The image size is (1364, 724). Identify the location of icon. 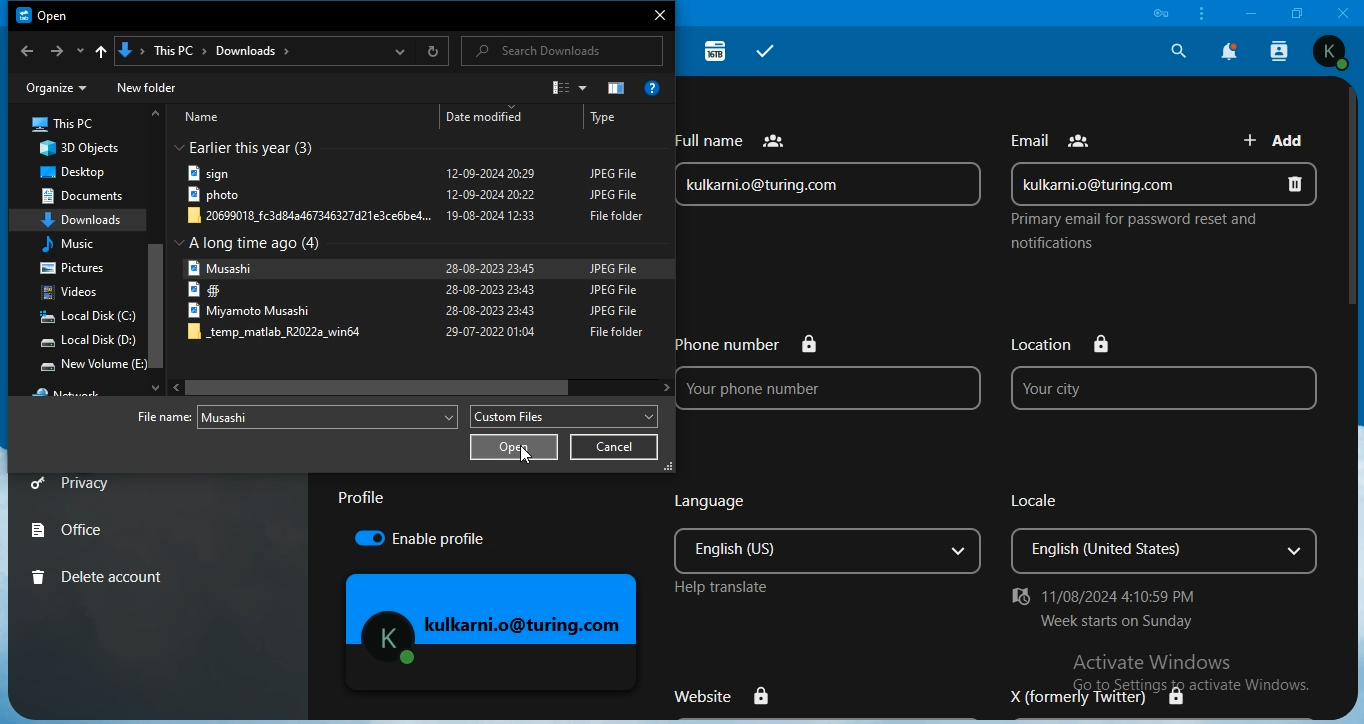
(567, 88).